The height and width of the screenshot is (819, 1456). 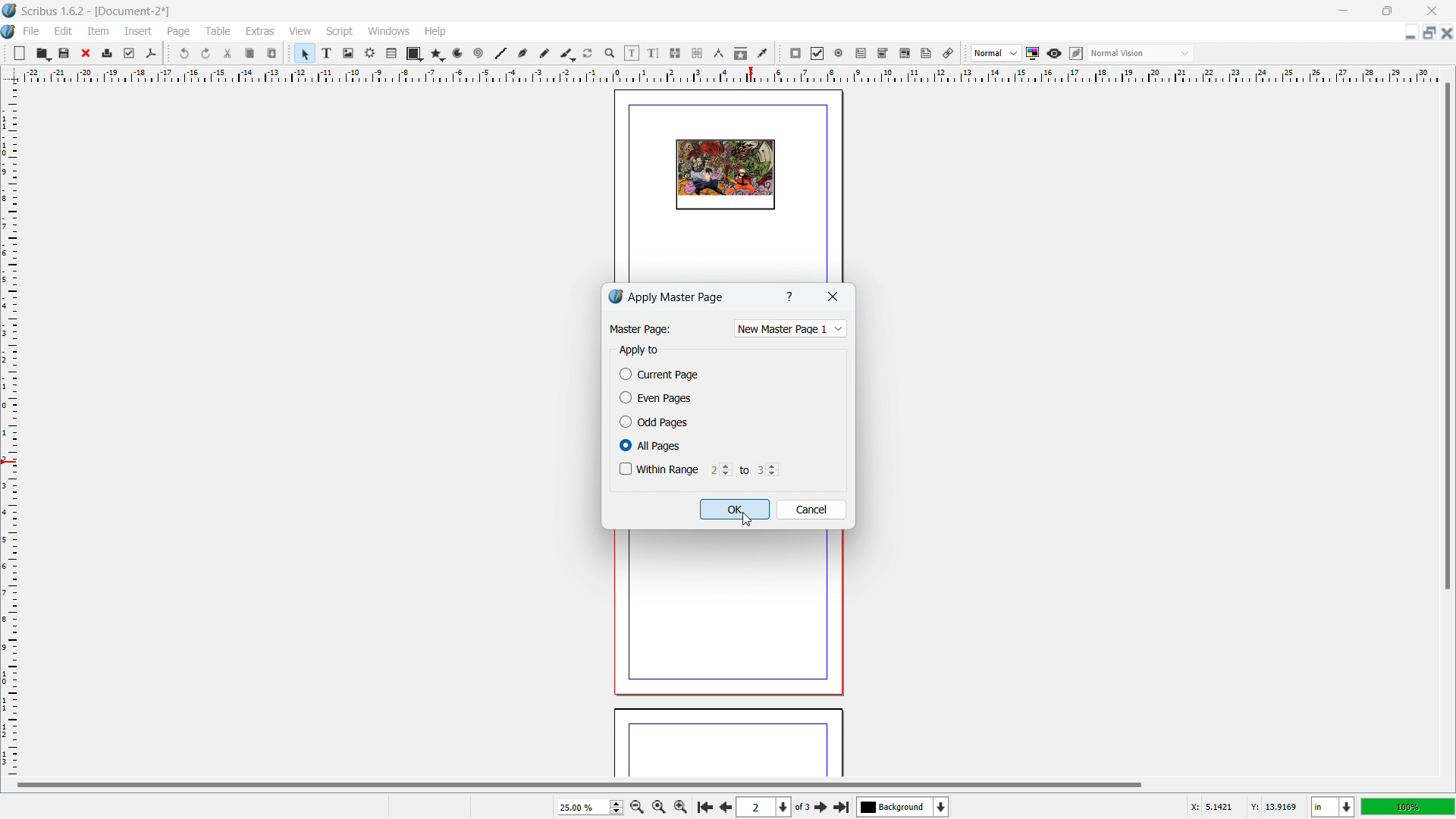 What do you see at coordinates (927, 54) in the screenshot?
I see `text annotation` at bounding box center [927, 54].